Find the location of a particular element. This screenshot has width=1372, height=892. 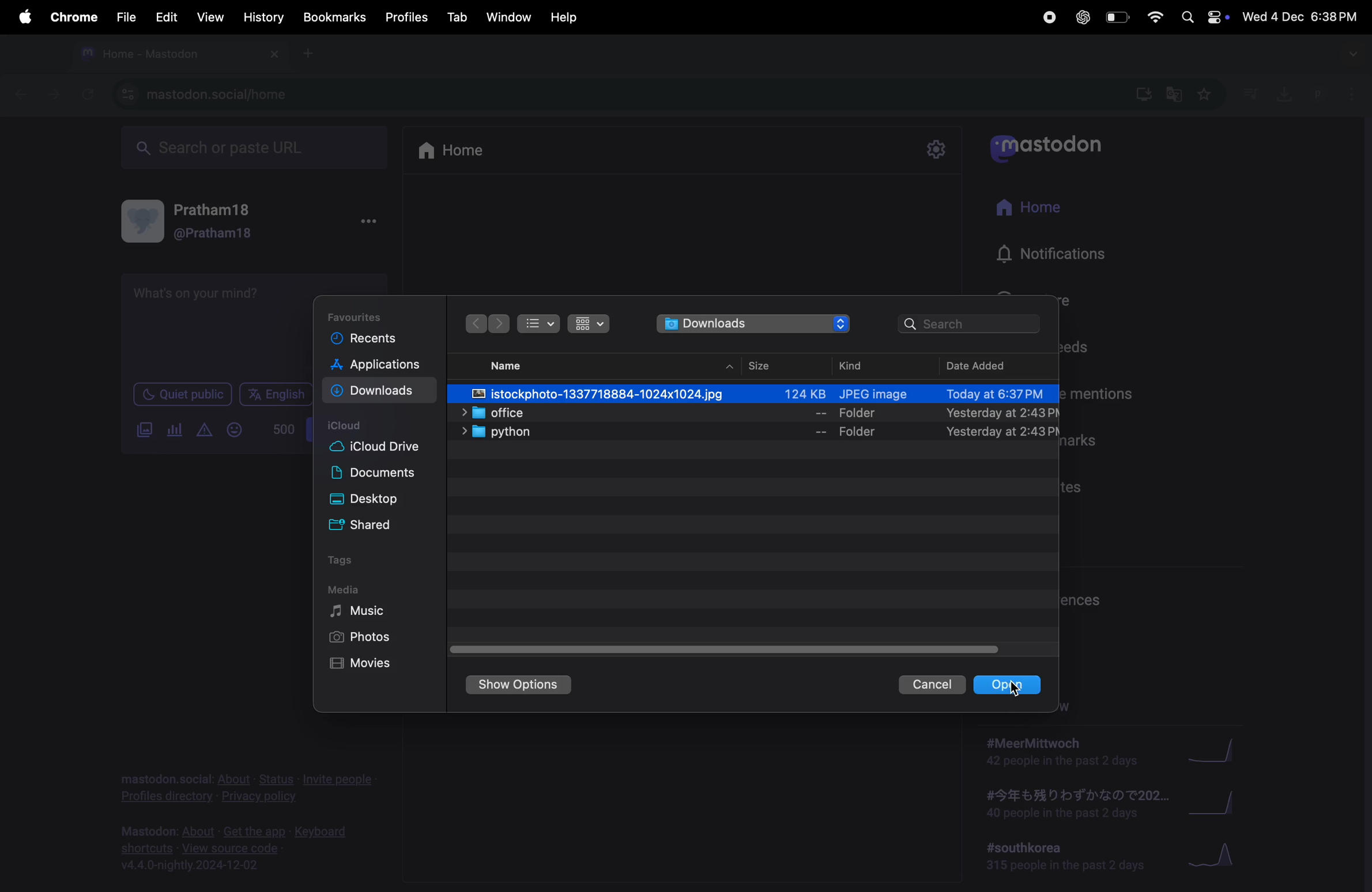

book marks is located at coordinates (332, 17).